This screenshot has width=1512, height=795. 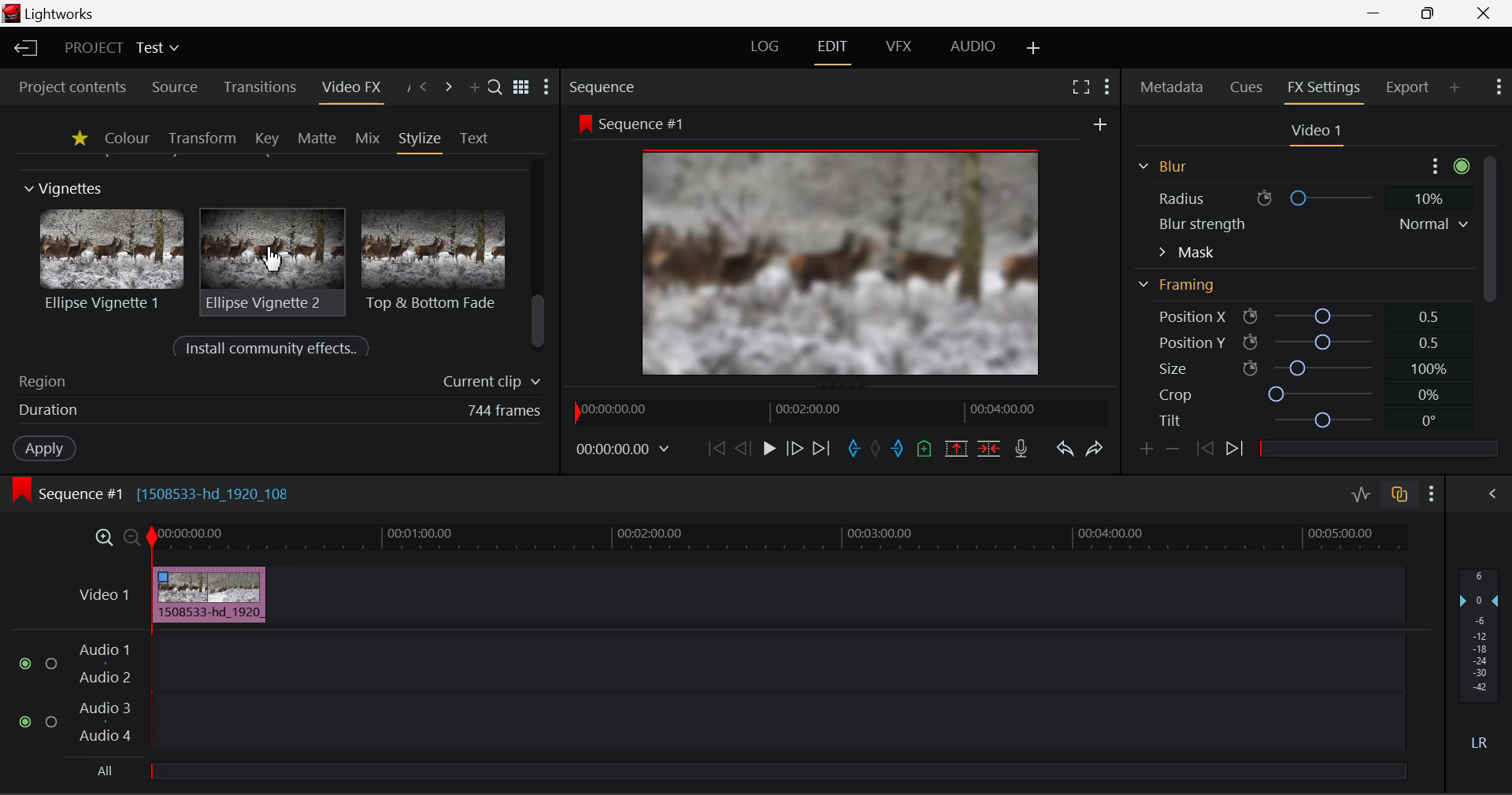 I want to click on Next Panel, so click(x=449, y=87).